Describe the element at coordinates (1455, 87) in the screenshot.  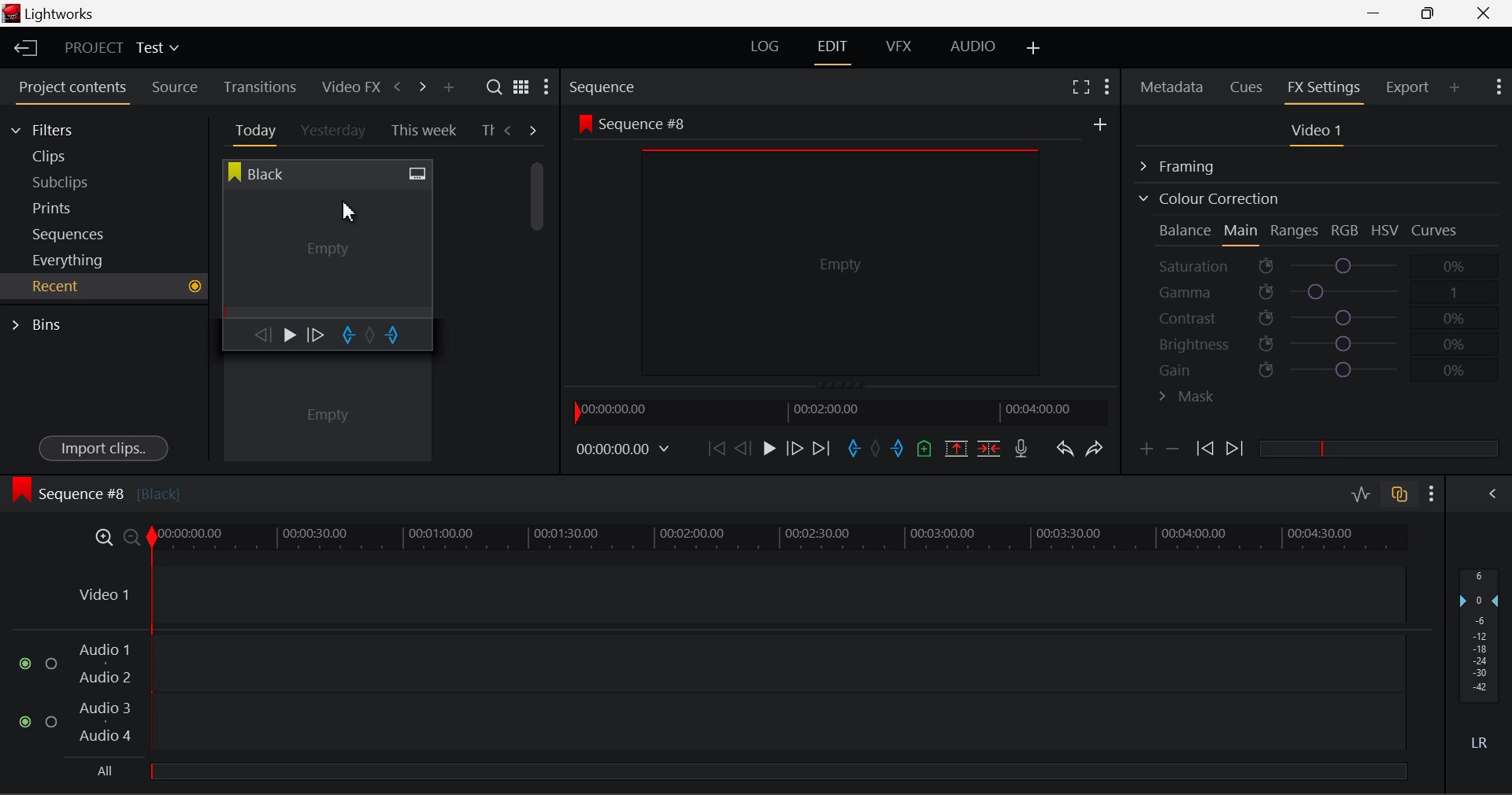
I see `Add Panel` at that location.